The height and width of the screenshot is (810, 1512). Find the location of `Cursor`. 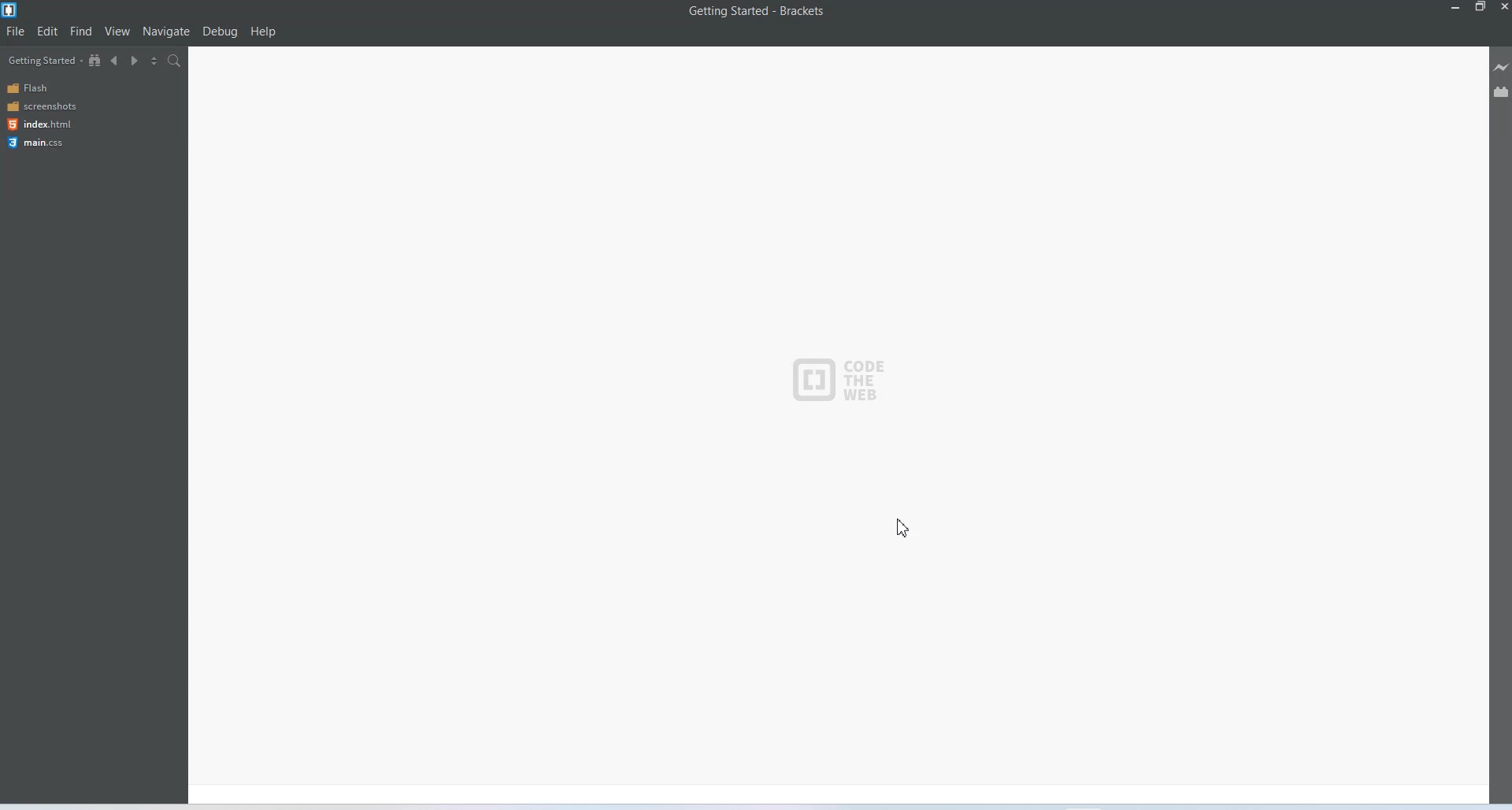

Cursor is located at coordinates (906, 526).